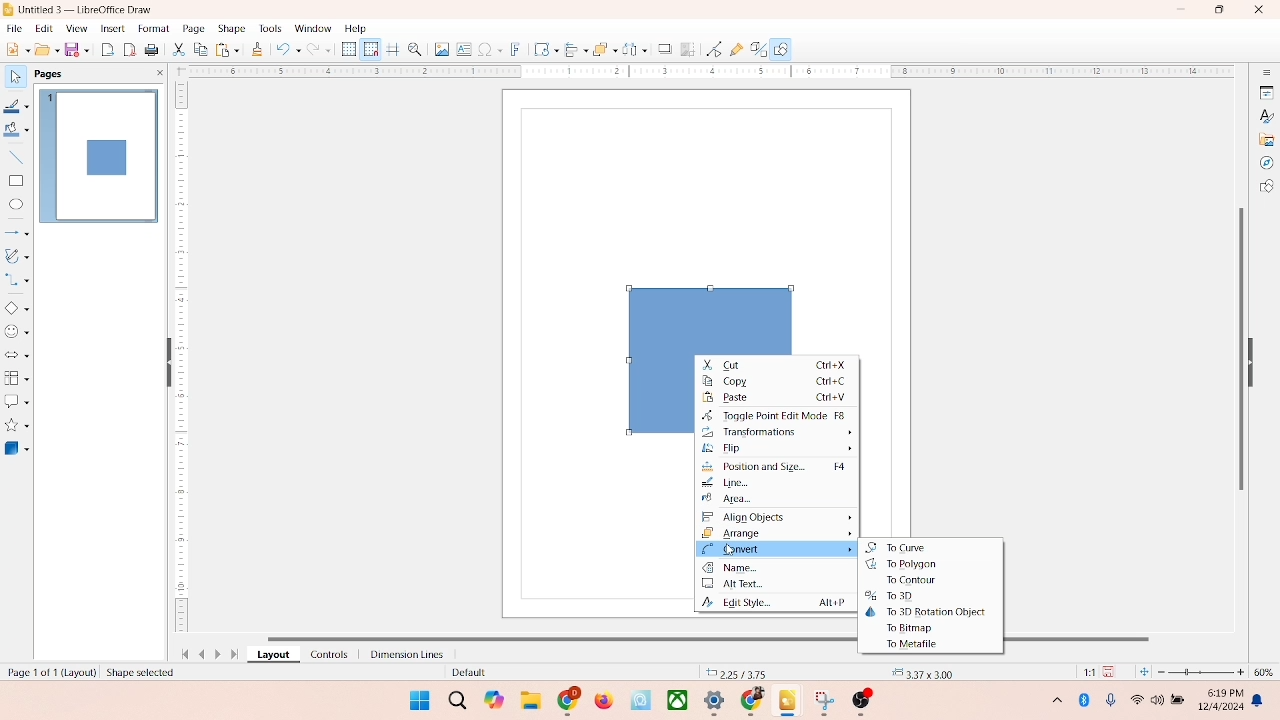  What do you see at coordinates (898, 546) in the screenshot?
I see `to curve` at bounding box center [898, 546].